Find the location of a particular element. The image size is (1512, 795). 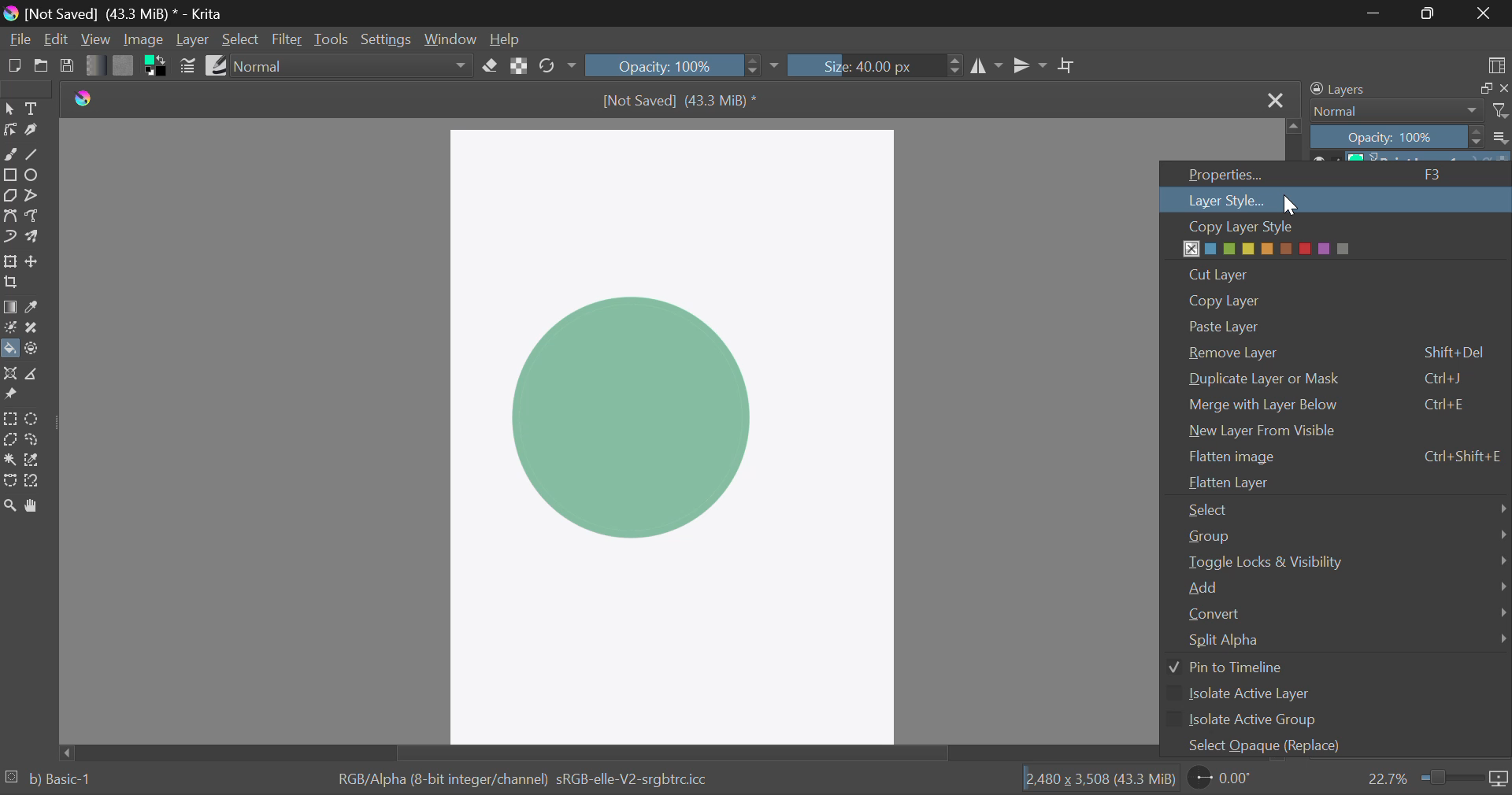

Layer Color is located at coordinates (1337, 251).